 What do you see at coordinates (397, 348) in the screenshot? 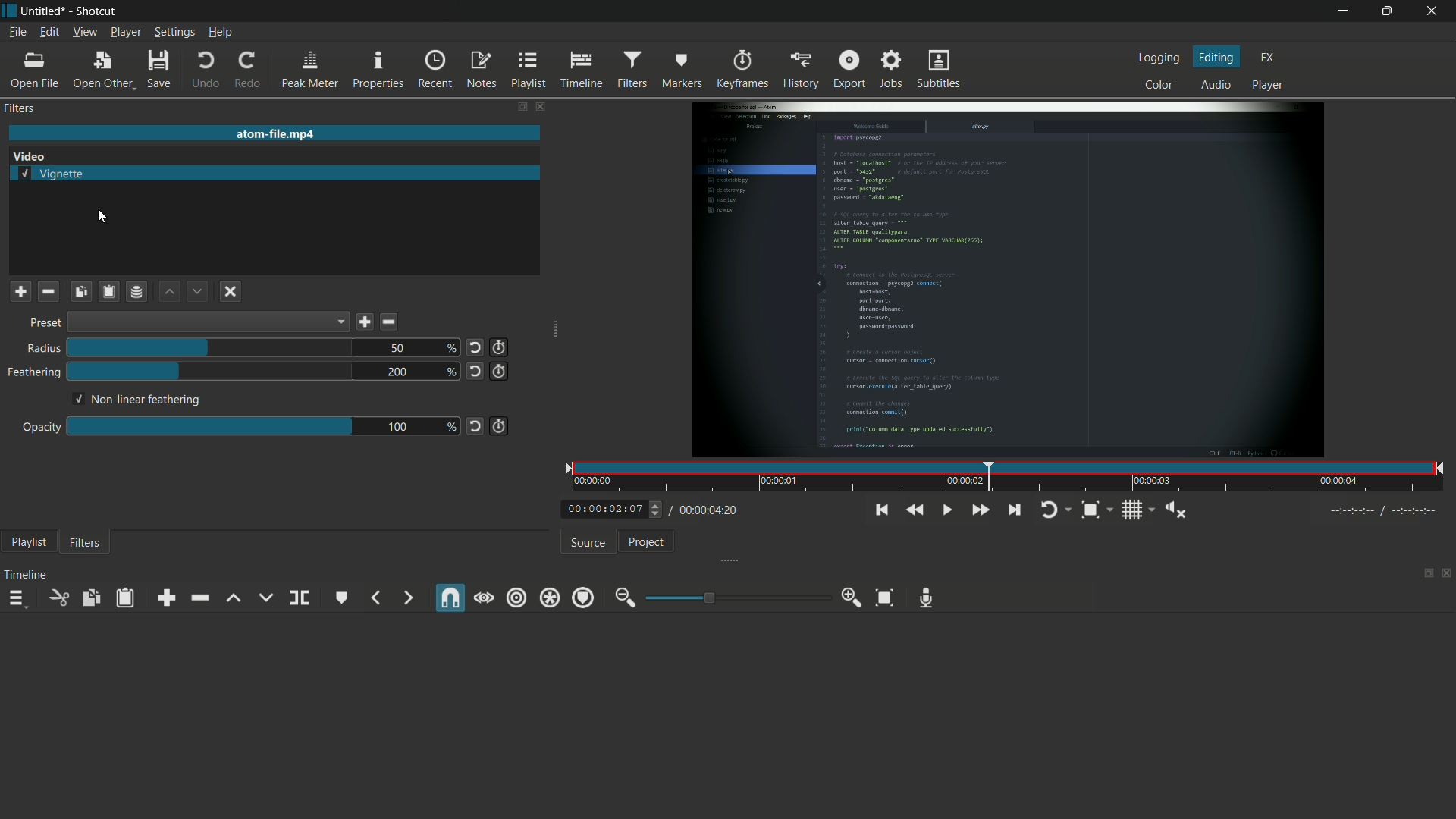
I see `50` at bounding box center [397, 348].